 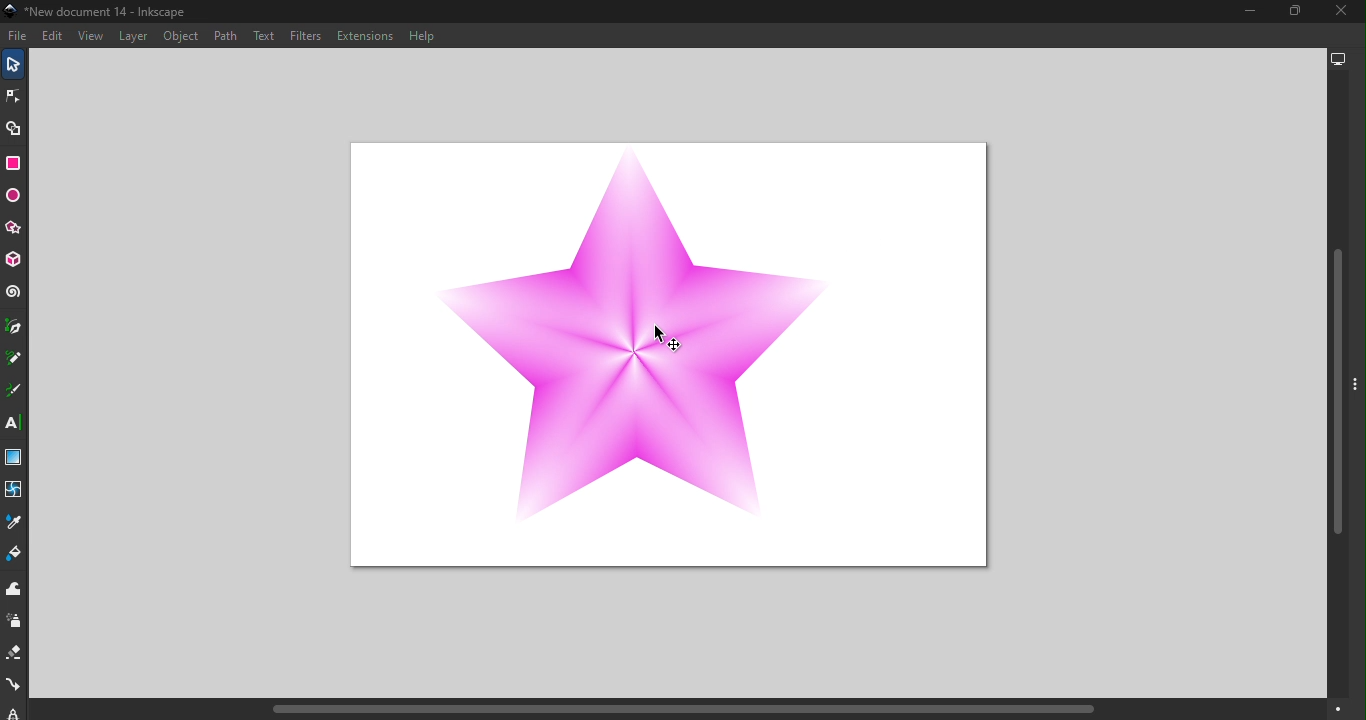 What do you see at coordinates (15, 620) in the screenshot?
I see `Spray tool` at bounding box center [15, 620].